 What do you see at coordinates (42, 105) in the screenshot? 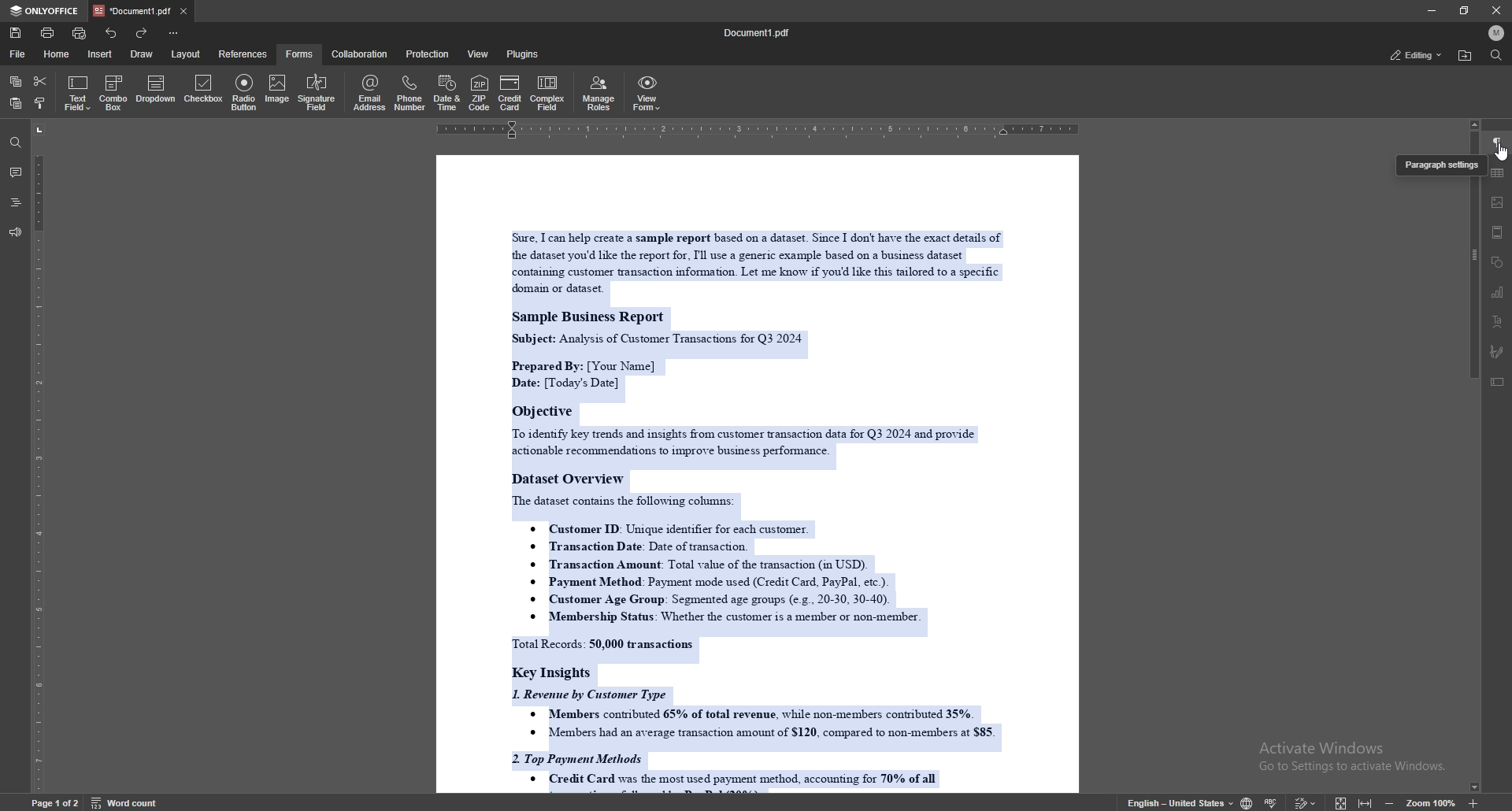
I see `copy style` at bounding box center [42, 105].